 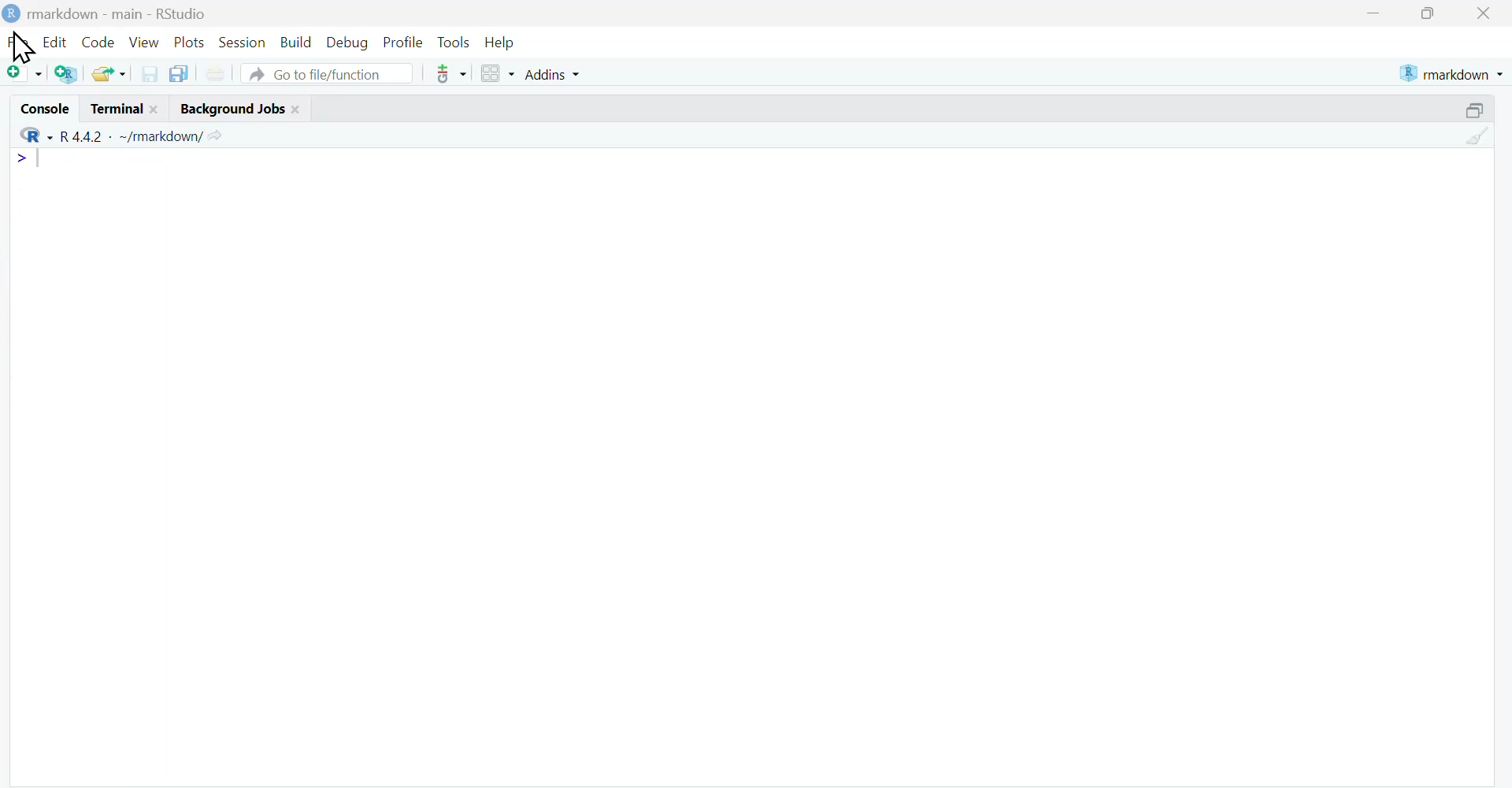 I want to click on git commit, so click(x=449, y=73).